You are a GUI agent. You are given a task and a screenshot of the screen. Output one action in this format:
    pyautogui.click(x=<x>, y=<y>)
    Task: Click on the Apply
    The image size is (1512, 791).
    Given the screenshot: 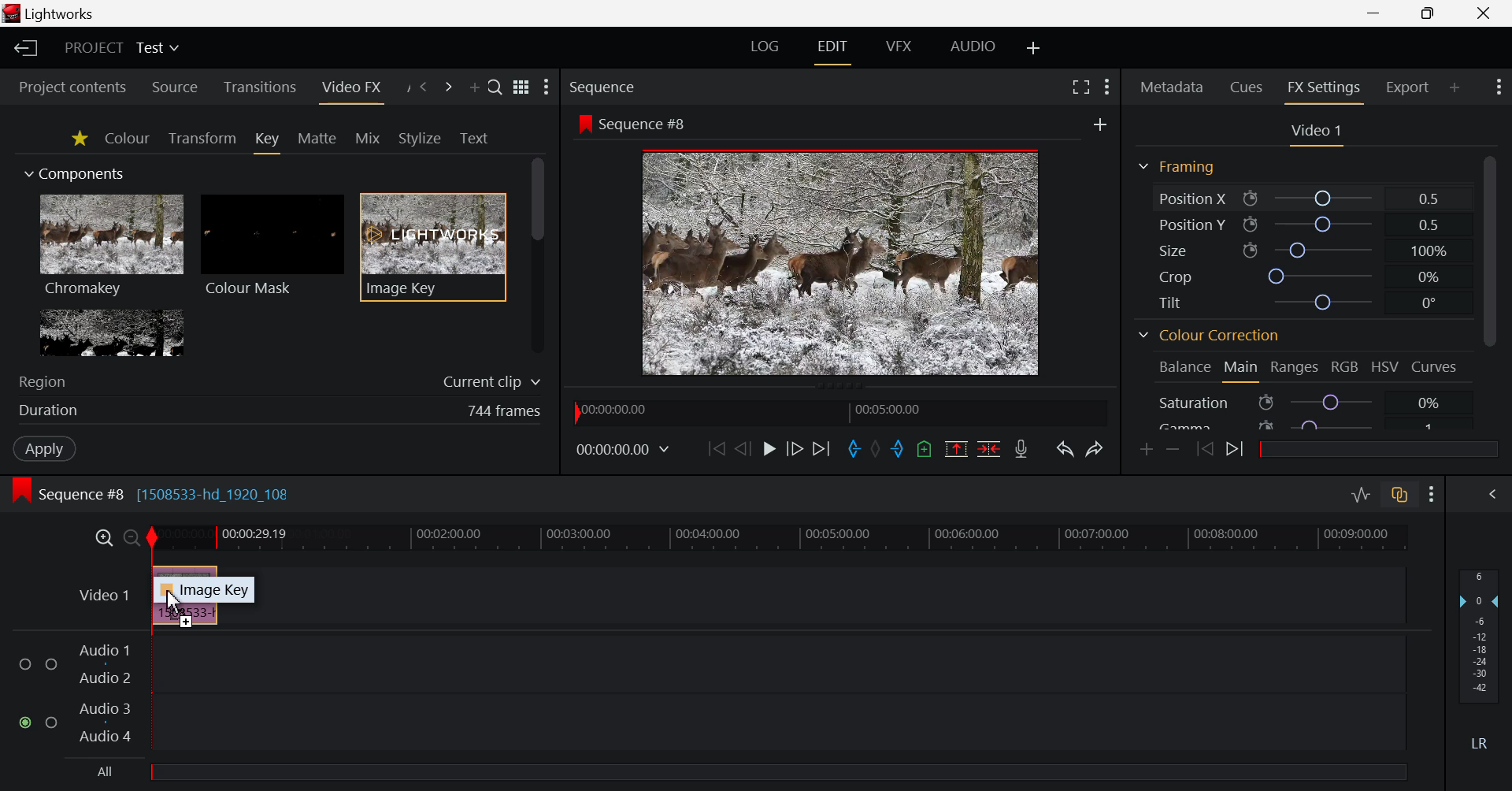 What is the action you would take?
    pyautogui.click(x=43, y=449)
    